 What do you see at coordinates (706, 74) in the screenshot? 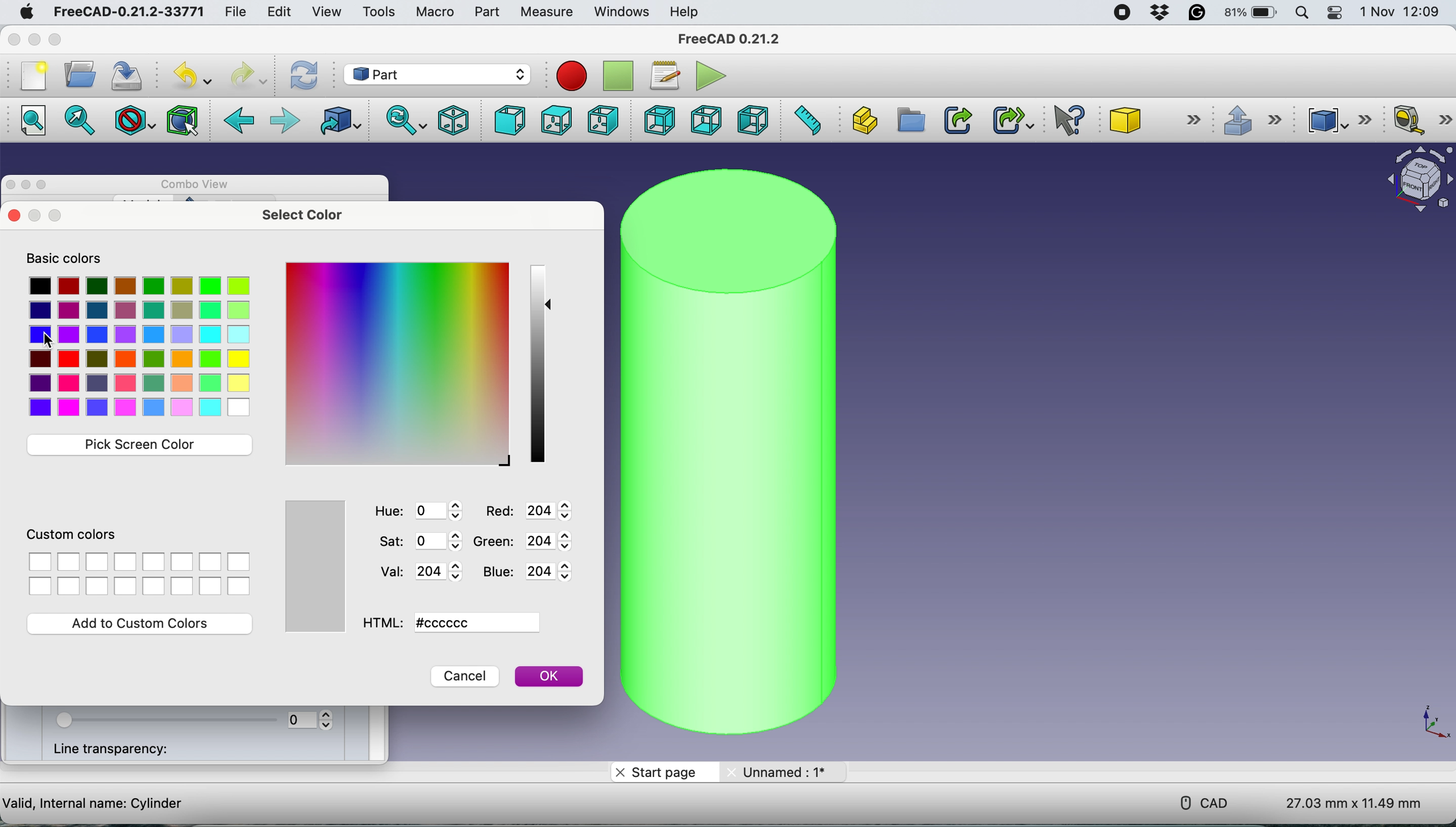
I see `execute macros` at bounding box center [706, 74].